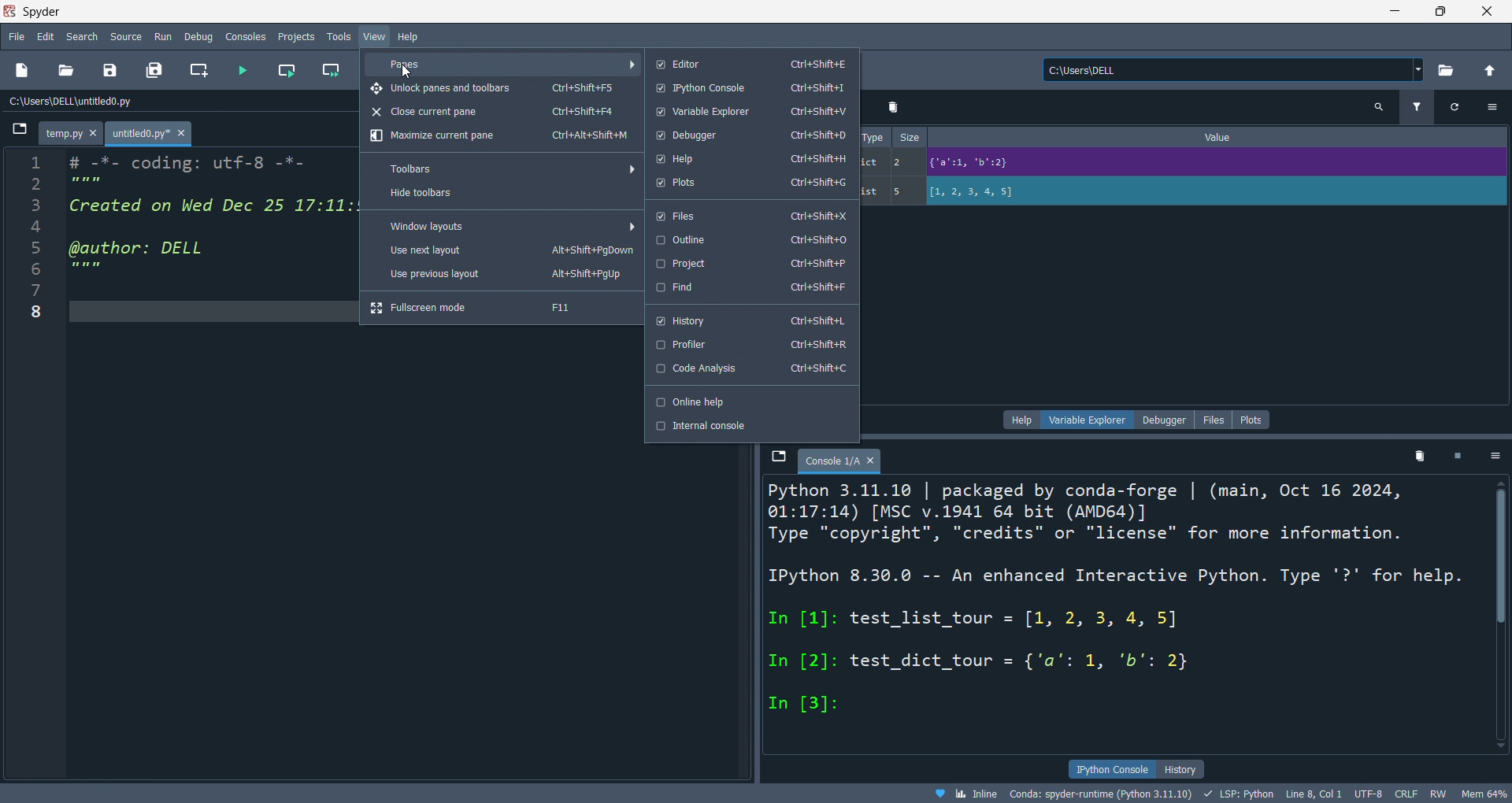 This screenshot has height=803, width=1512. I want to click on use previous layout, so click(502, 276).